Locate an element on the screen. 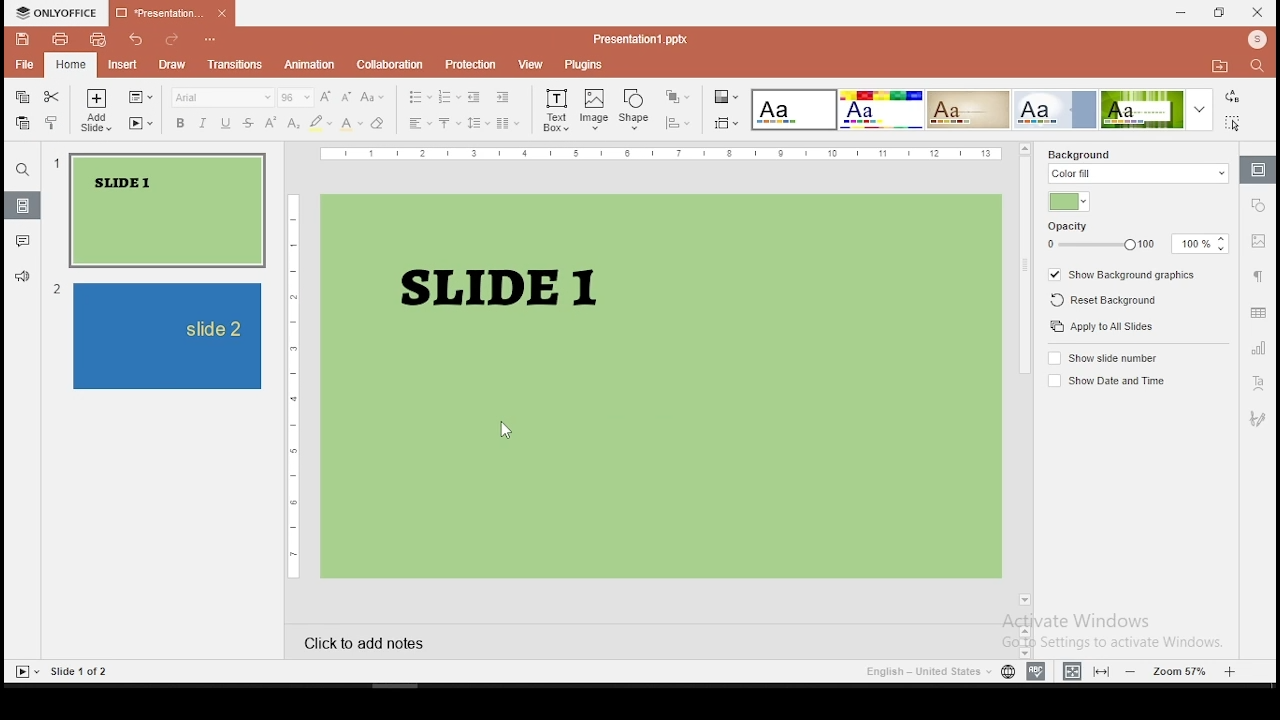 The height and width of the screenshot is (720, 1280). horizontal scale is located at coordinates (662, 153).